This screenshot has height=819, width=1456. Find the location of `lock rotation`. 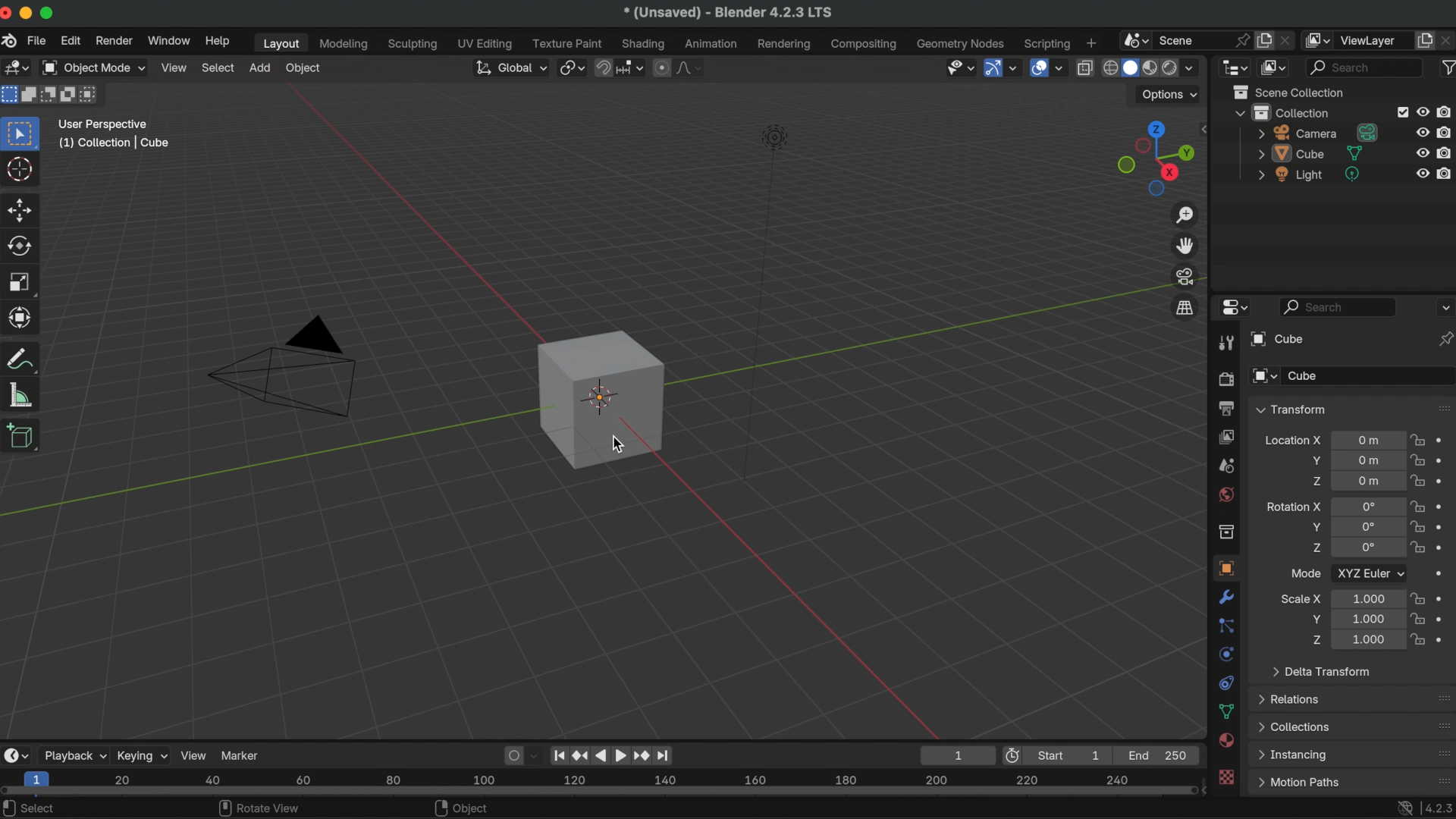

lock rotation is located at coordinates (1418, 528).